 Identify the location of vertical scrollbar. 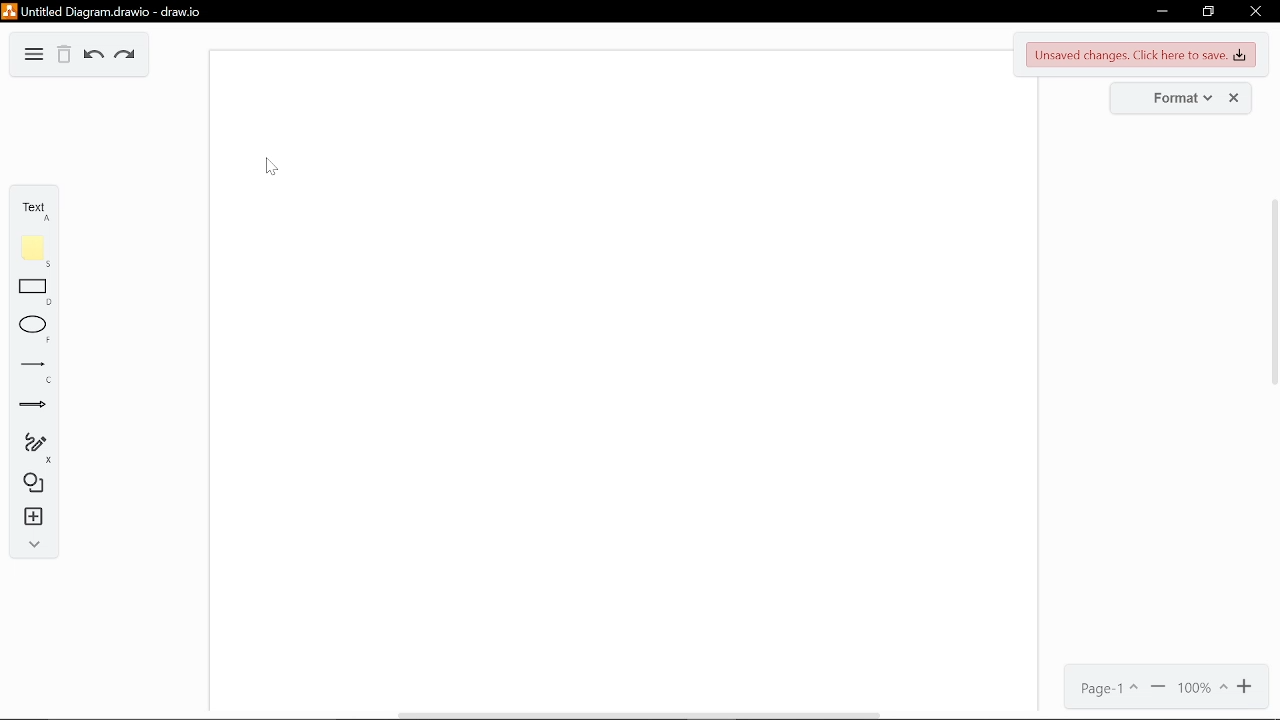
(1272, 294).